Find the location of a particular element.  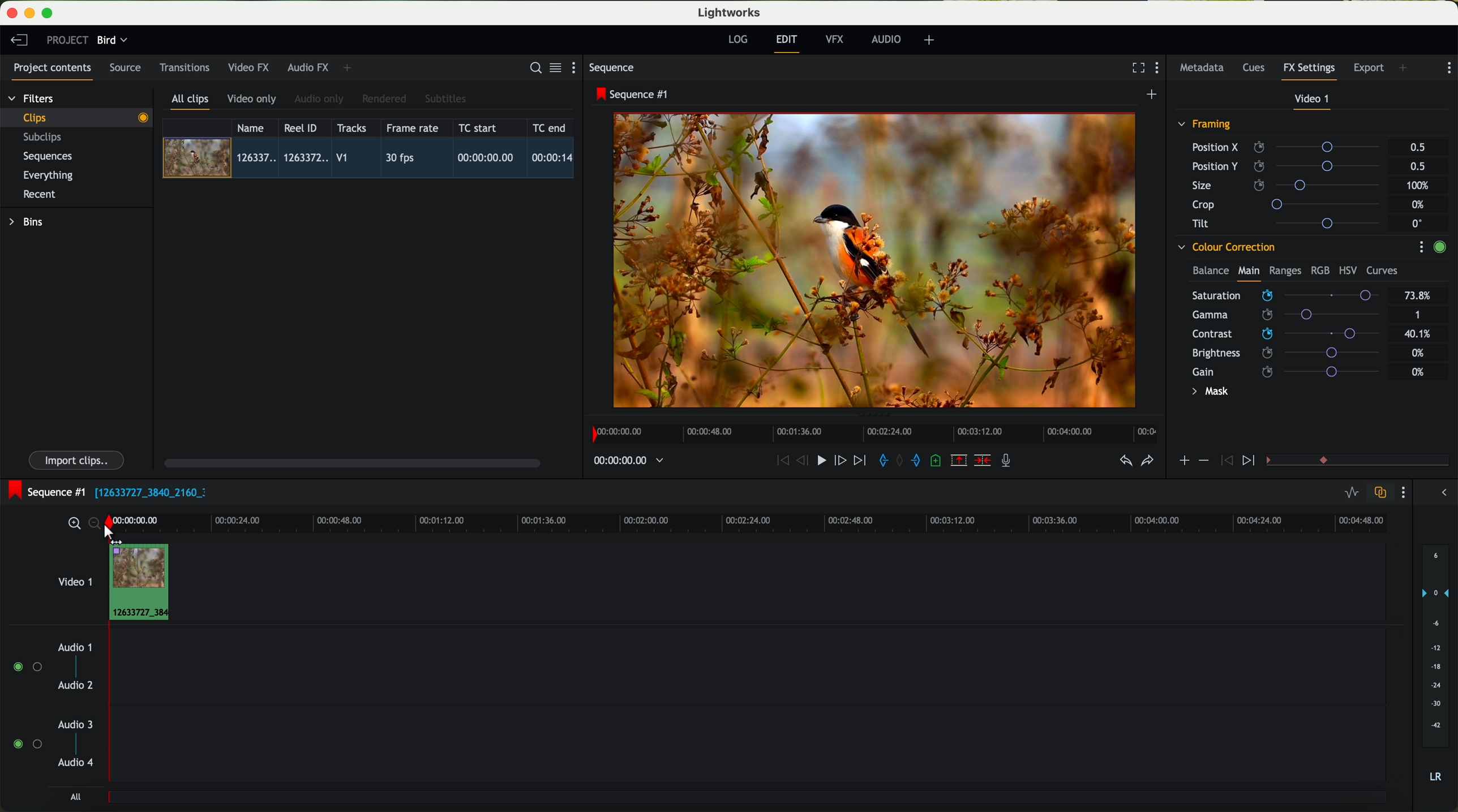

0% is located at coordinates (1418, 351).